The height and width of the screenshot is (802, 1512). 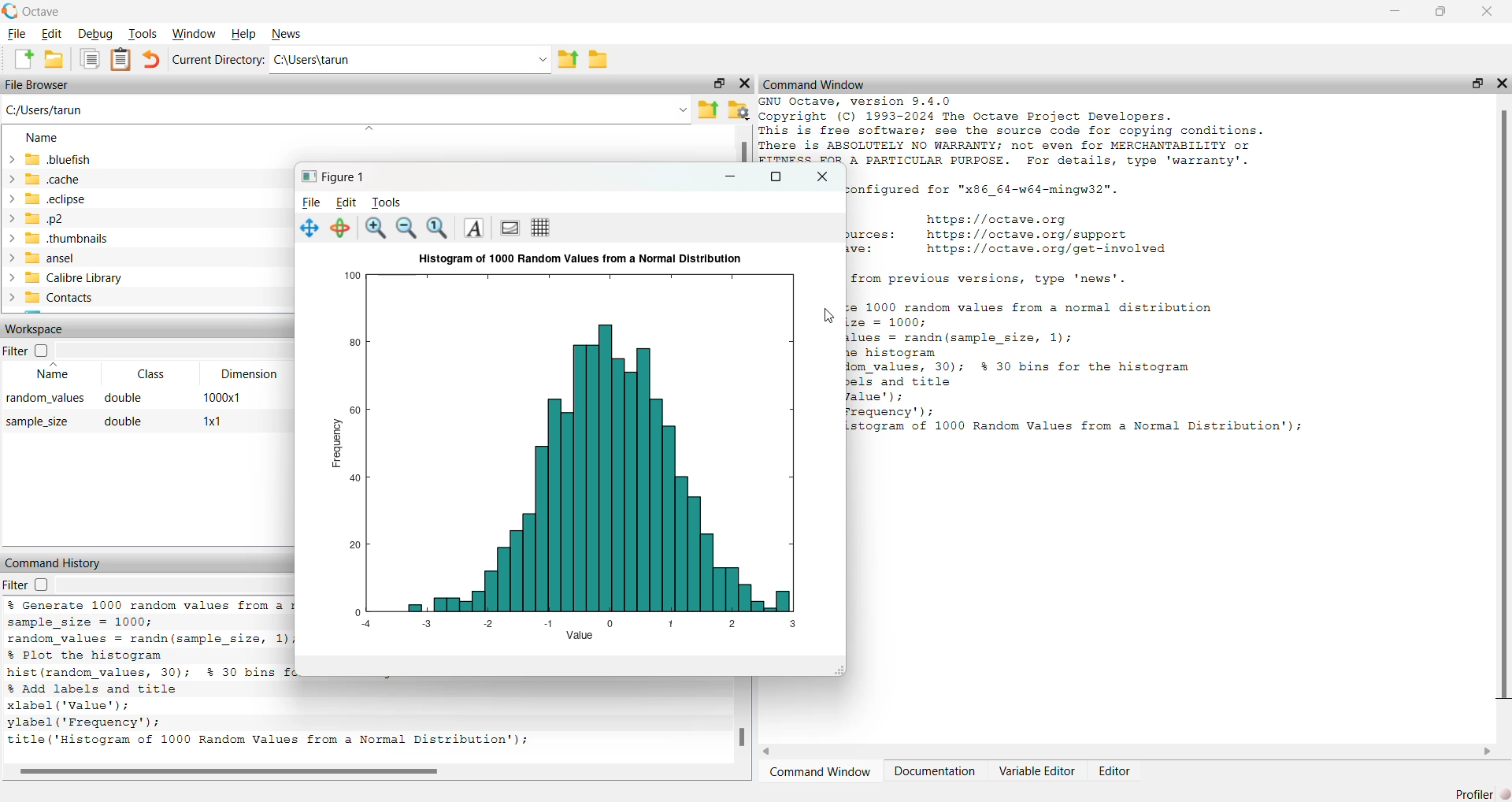 What do you see at coordinates (743, 84) in the screenshot?
I see `close` at bounding box center [743, 84].